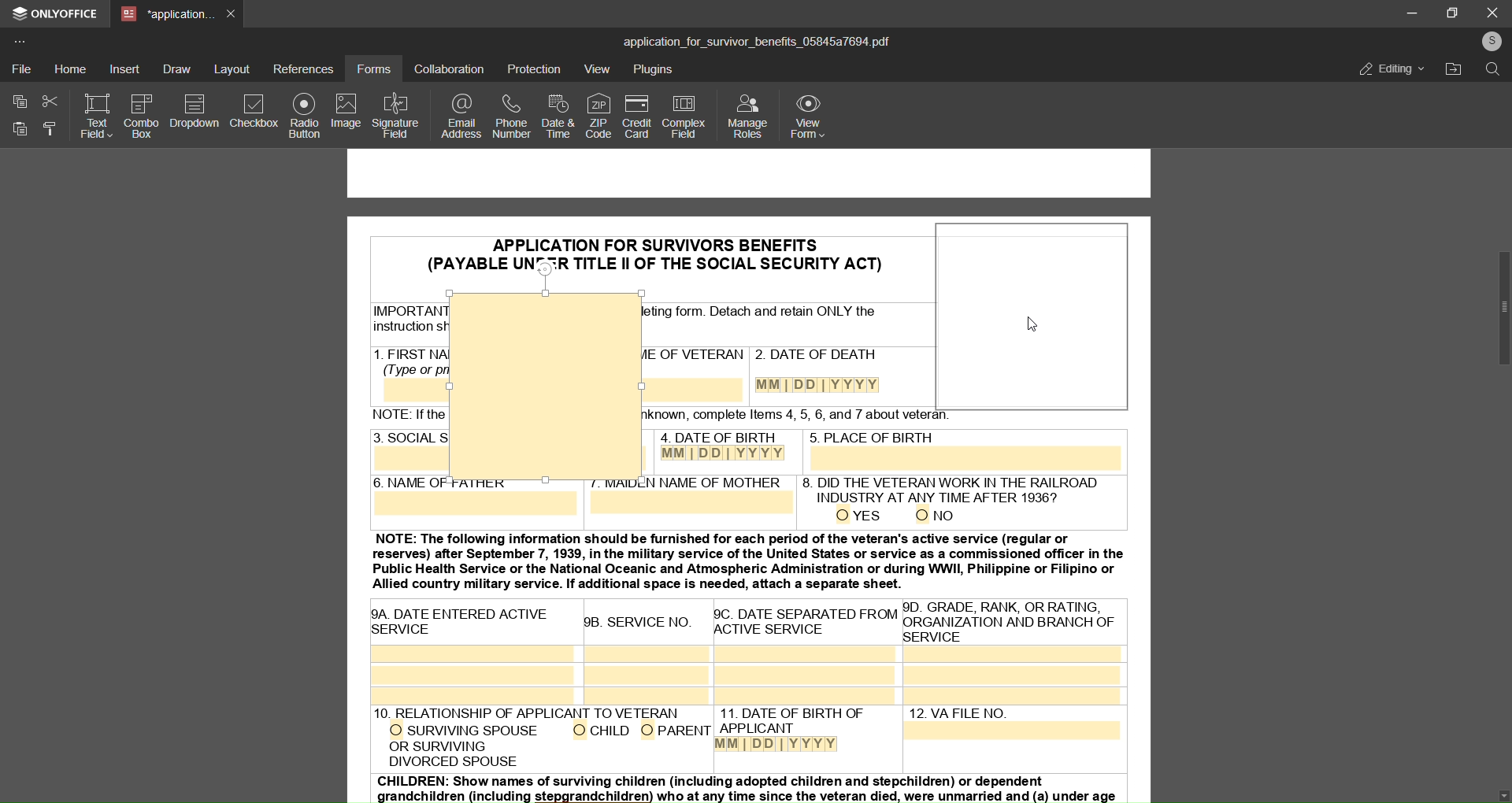  What do you see at coordinates (395, 330) in the screenshot?
I see `PDF of application for survivors benefits` at bounding box center [395, 330].